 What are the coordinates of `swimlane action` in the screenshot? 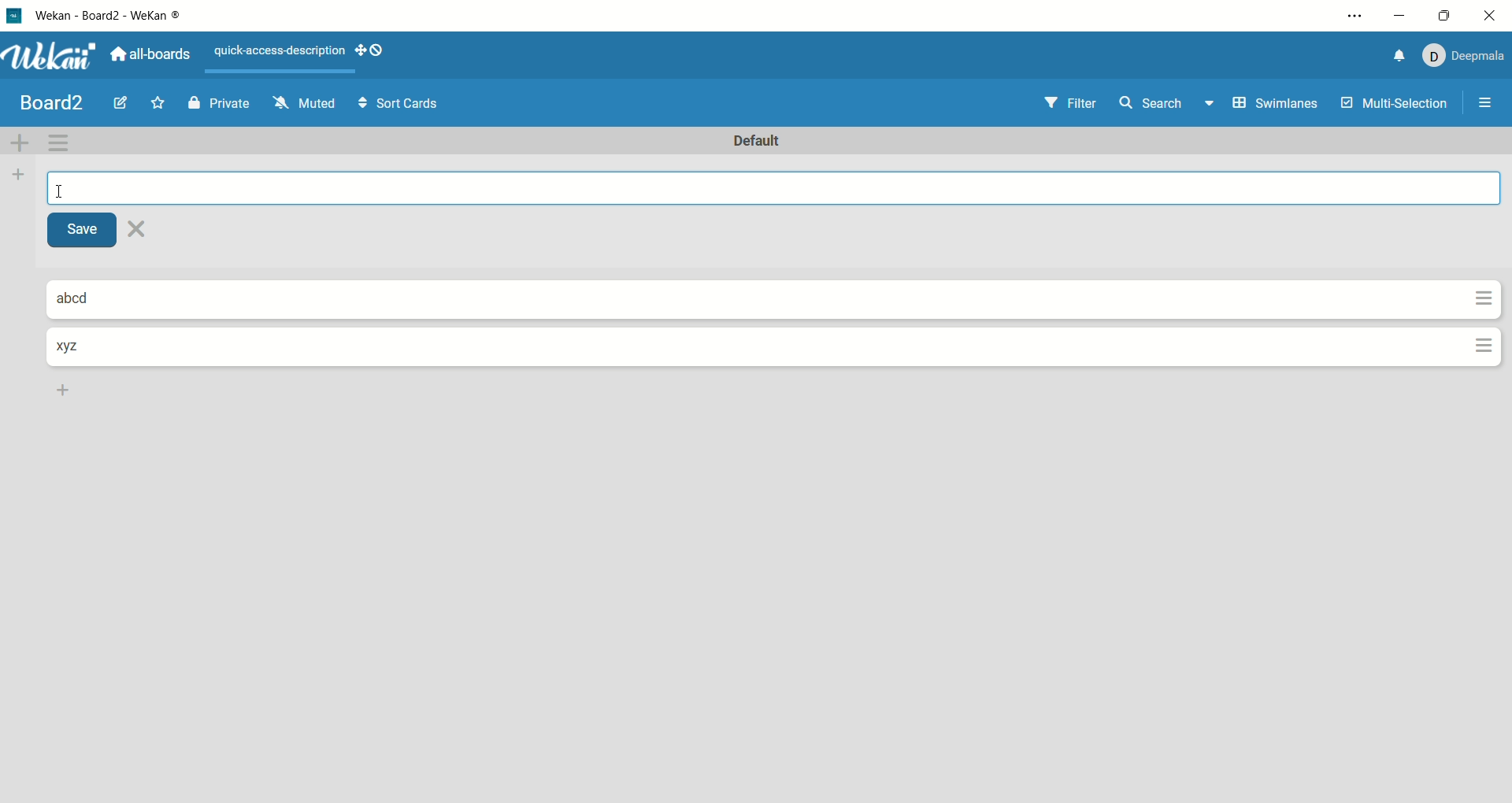 It's located at (63, 142).